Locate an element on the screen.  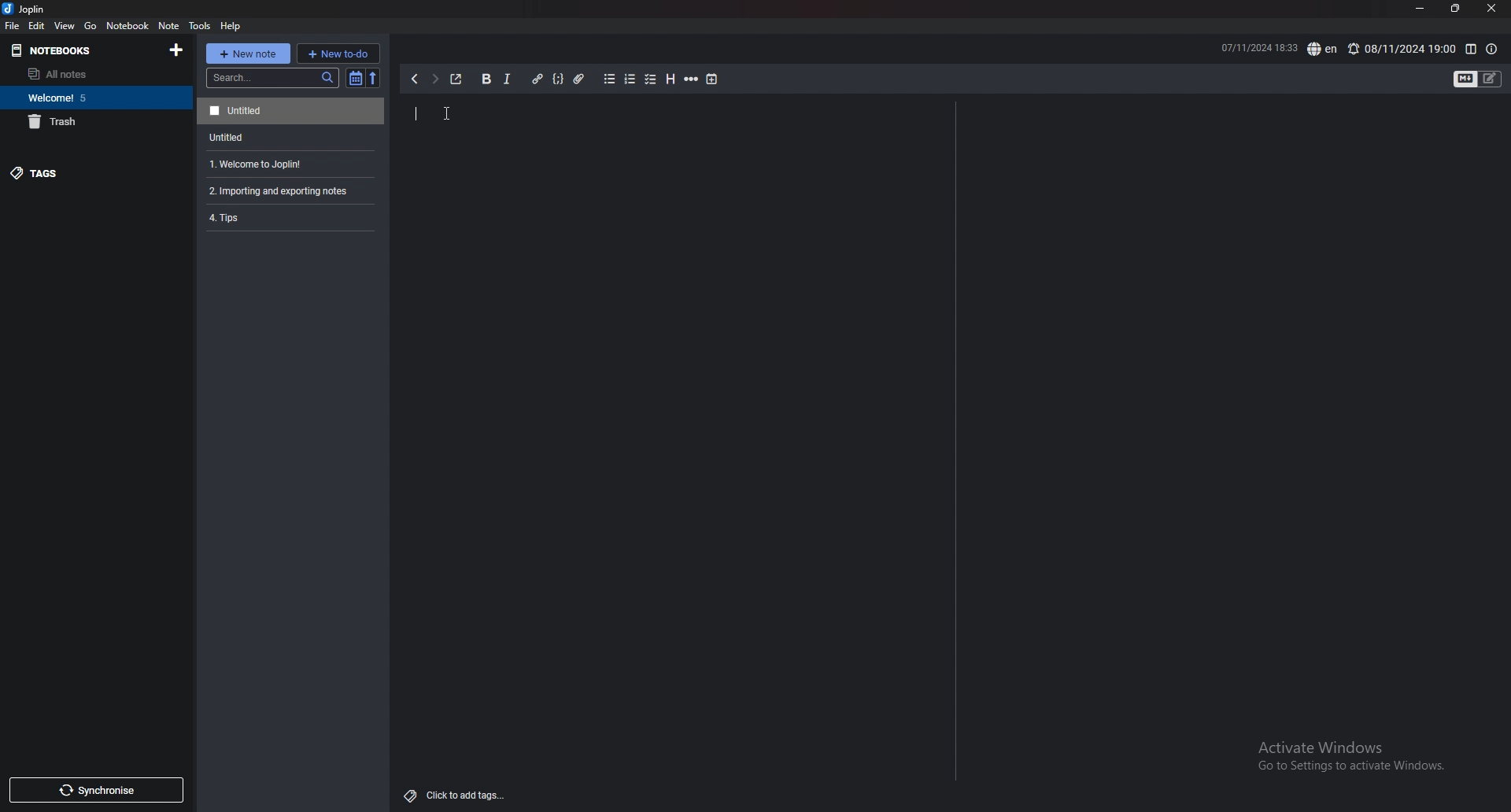
1. Welcome to Joplin! is located at coordinates (287, 162).